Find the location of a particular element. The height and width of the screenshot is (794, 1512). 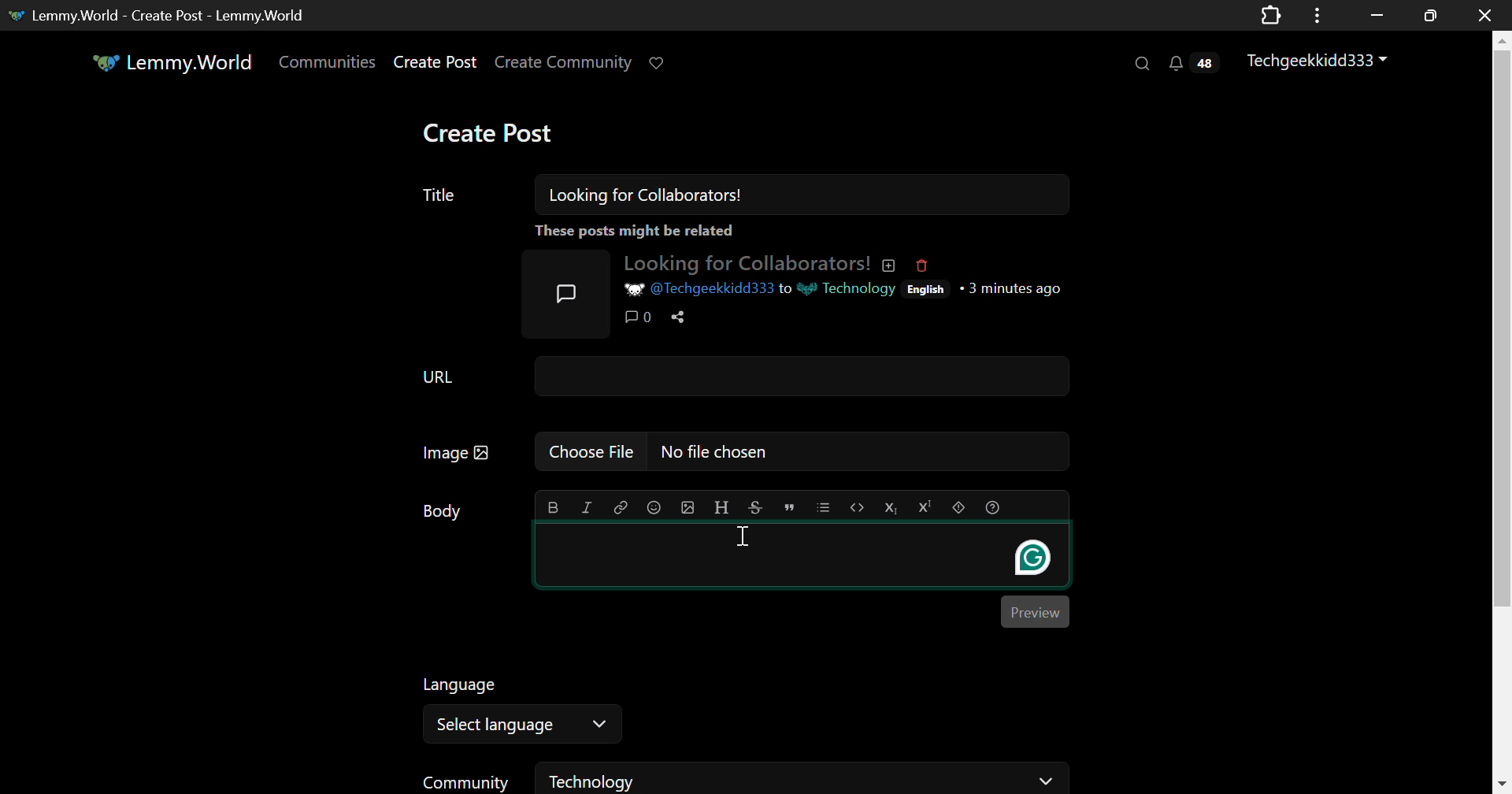

Notifications  is located at coordinates (1191, 65).